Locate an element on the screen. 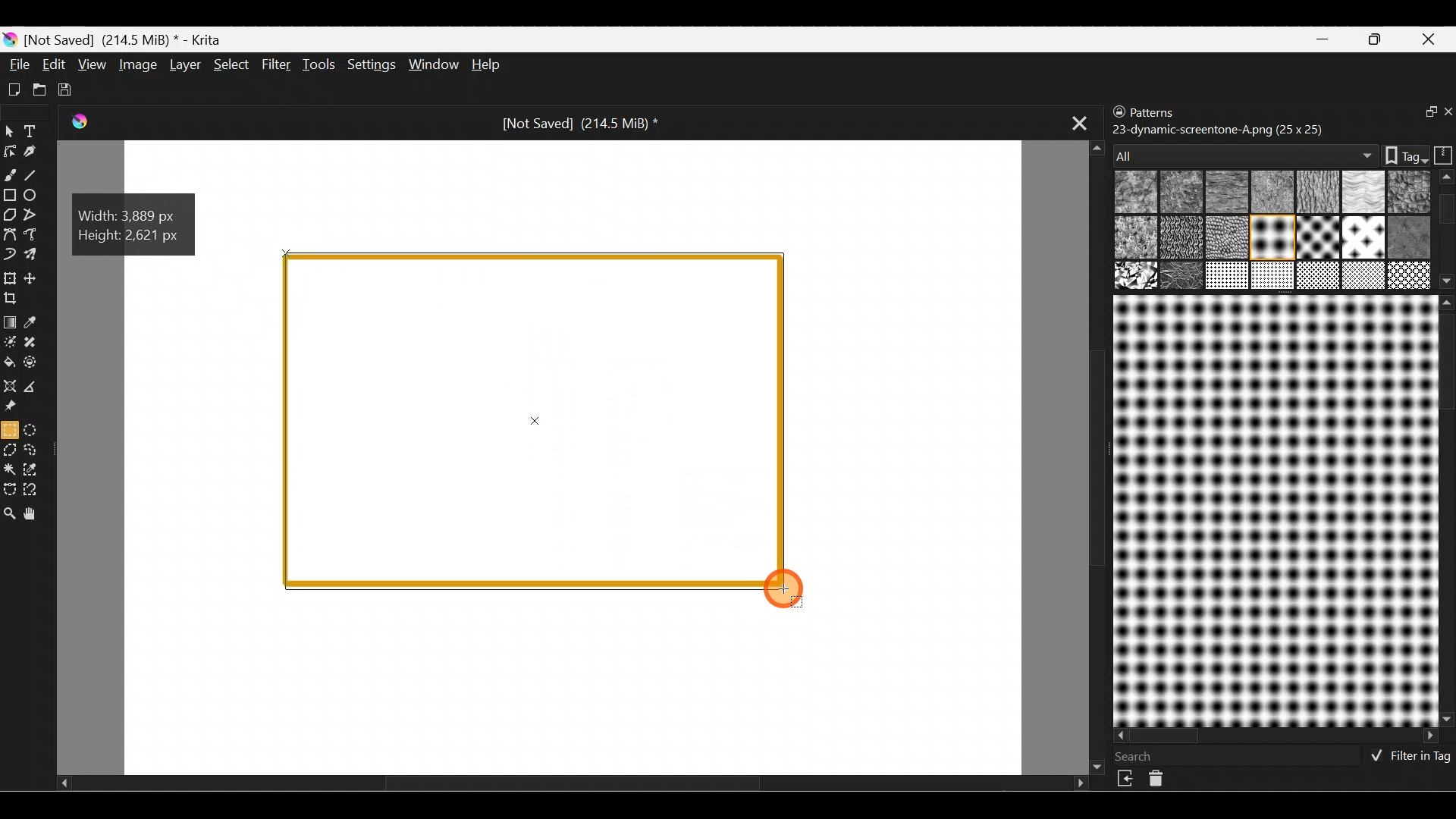  23-dynamic-screentone-A.png (25 x 25) is located at coordinates (1219, 128).